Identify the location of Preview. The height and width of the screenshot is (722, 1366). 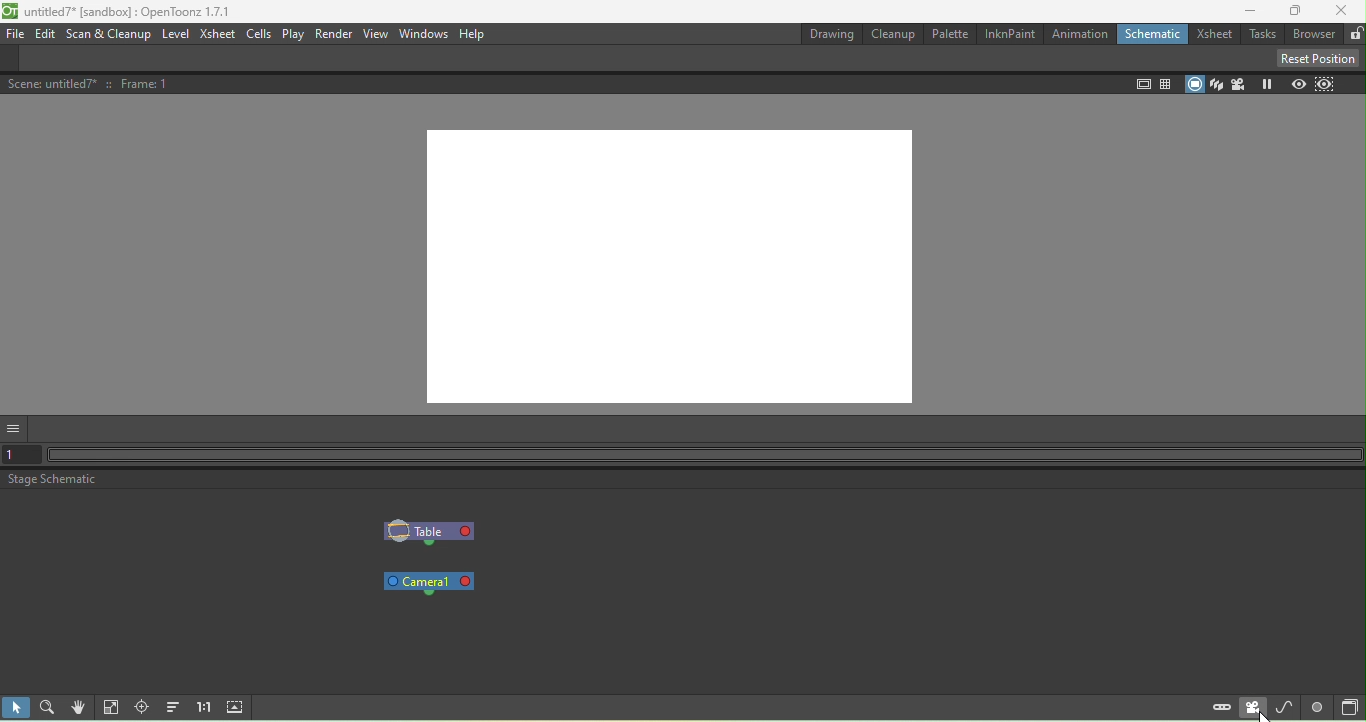
(1294, 83).